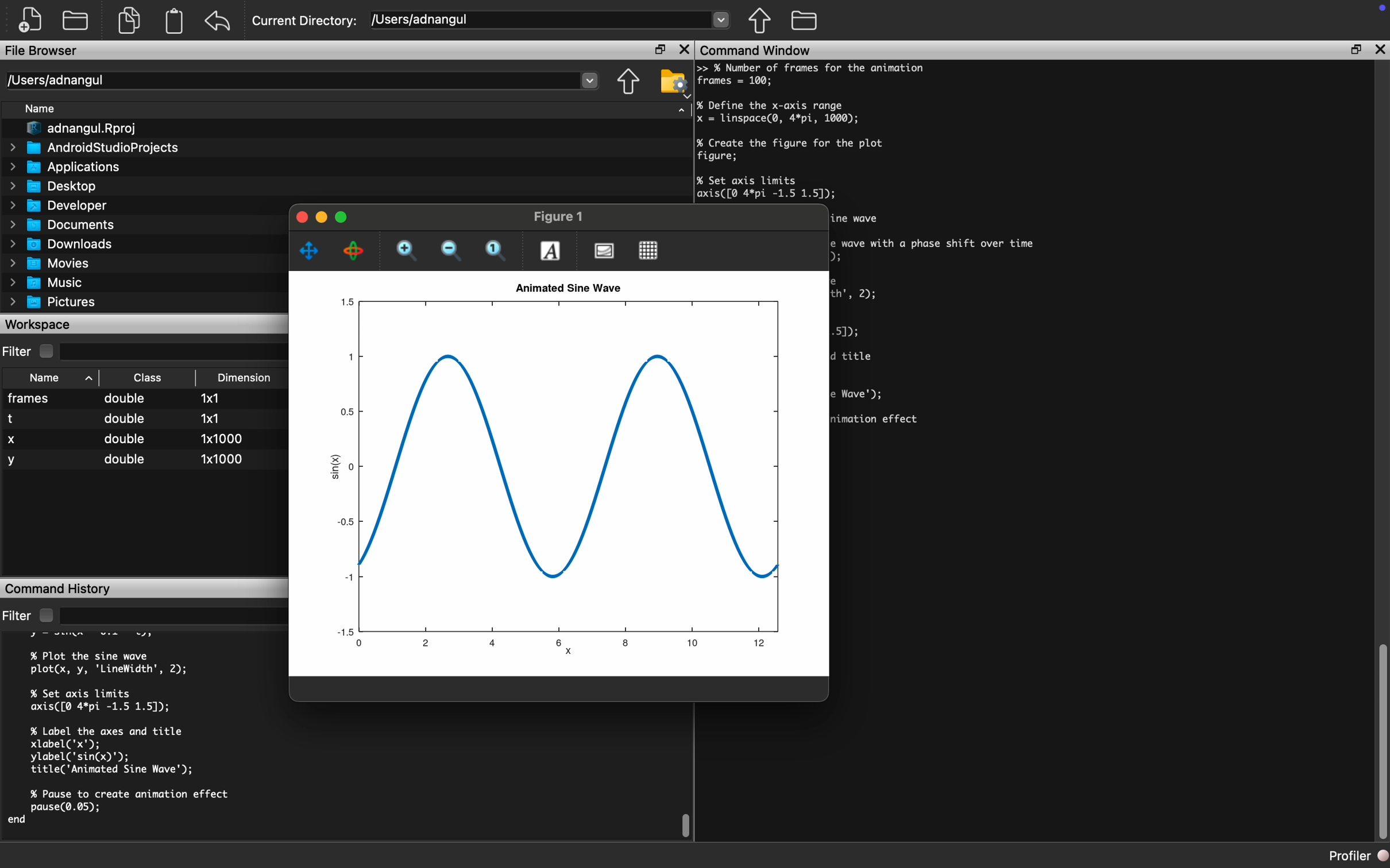 This screenshot has width=1390, height=868. Describe the element at coordinates (342, 216) in the screenshot. I see `Close` at that location.